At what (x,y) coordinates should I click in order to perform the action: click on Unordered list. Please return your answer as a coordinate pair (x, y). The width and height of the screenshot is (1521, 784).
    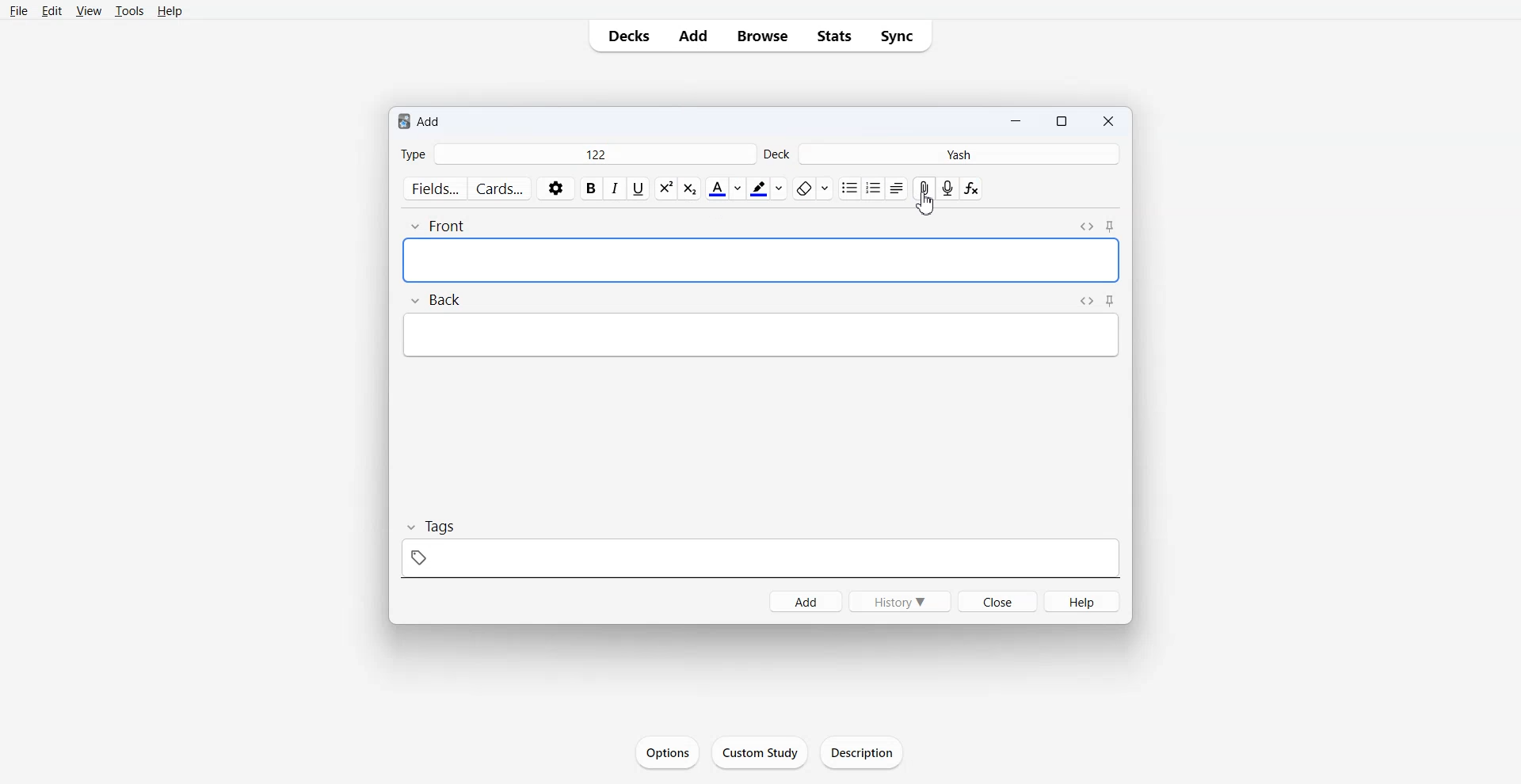
    Looking at the image, I should click on (848, 188).